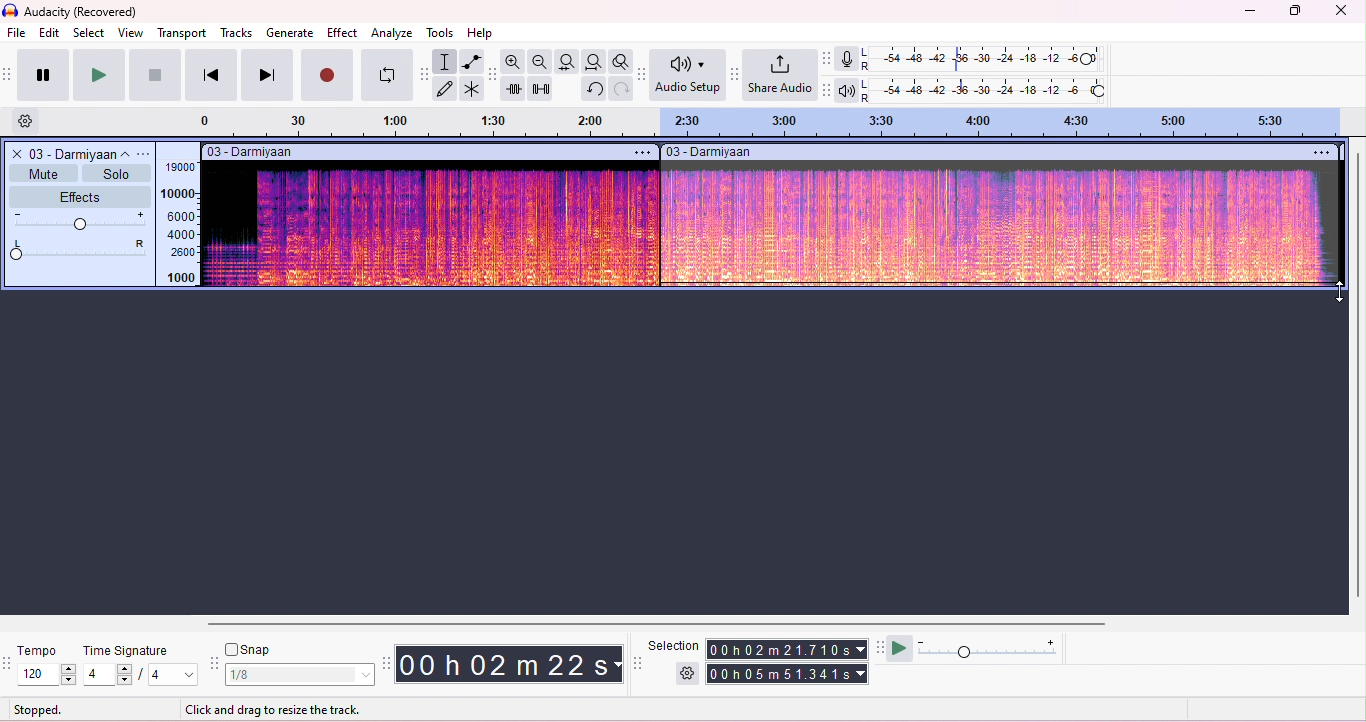 Image resolution: width=1366 pixels, height=722 pixels. I want to click on recording meter, so click(848, 59).